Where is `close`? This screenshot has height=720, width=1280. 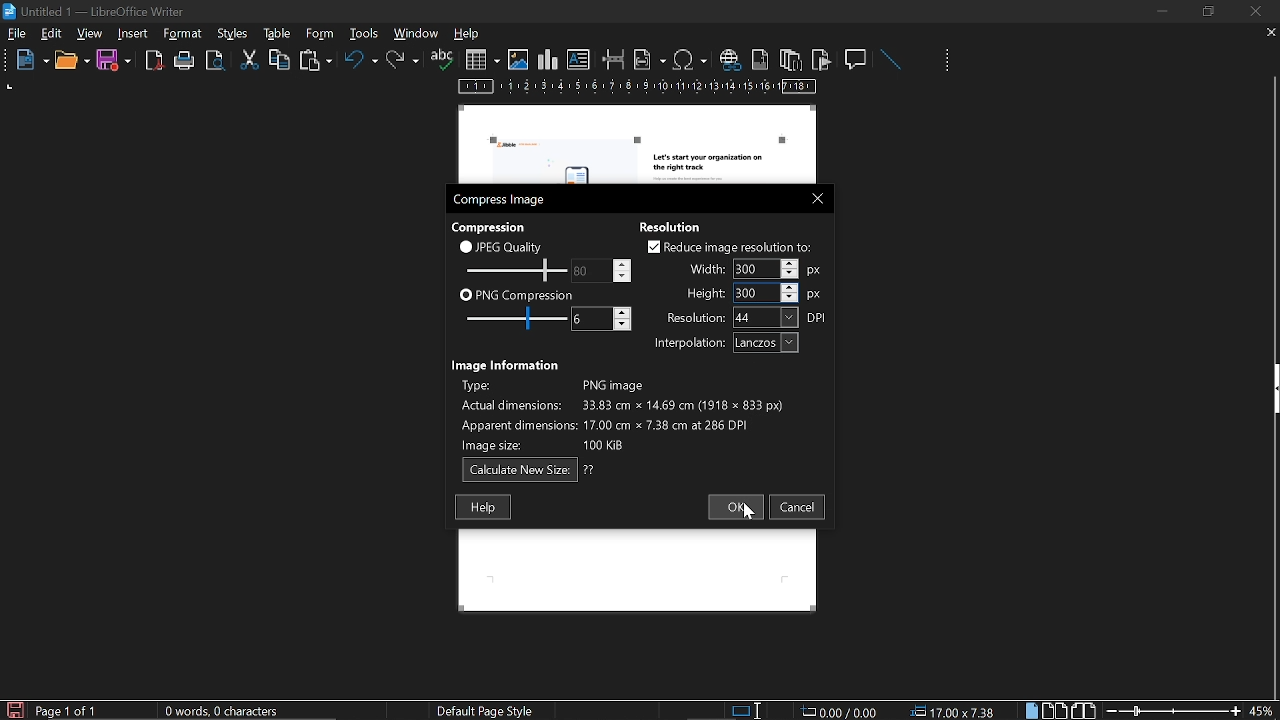
close is located at coordinates (813, 197).